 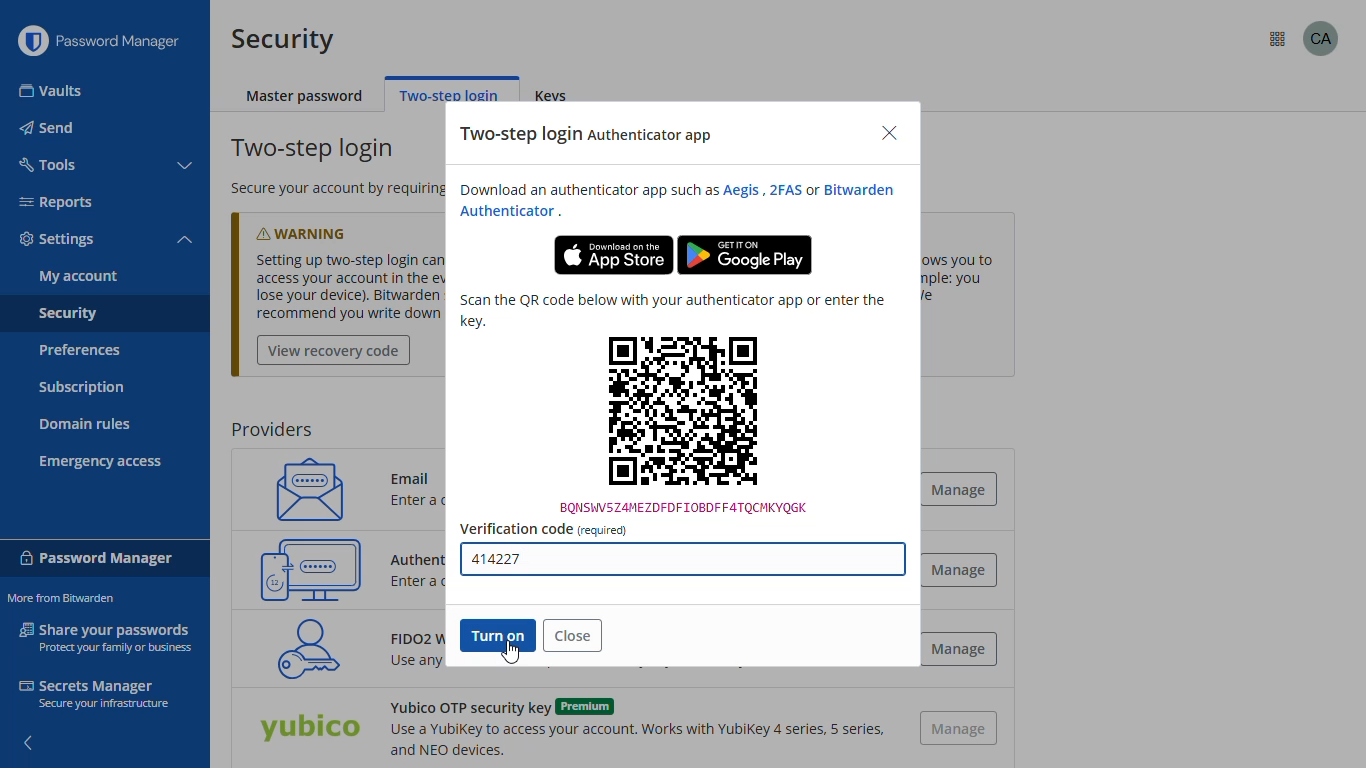 I want to click on Authenticator, so click(x=508, y=212).